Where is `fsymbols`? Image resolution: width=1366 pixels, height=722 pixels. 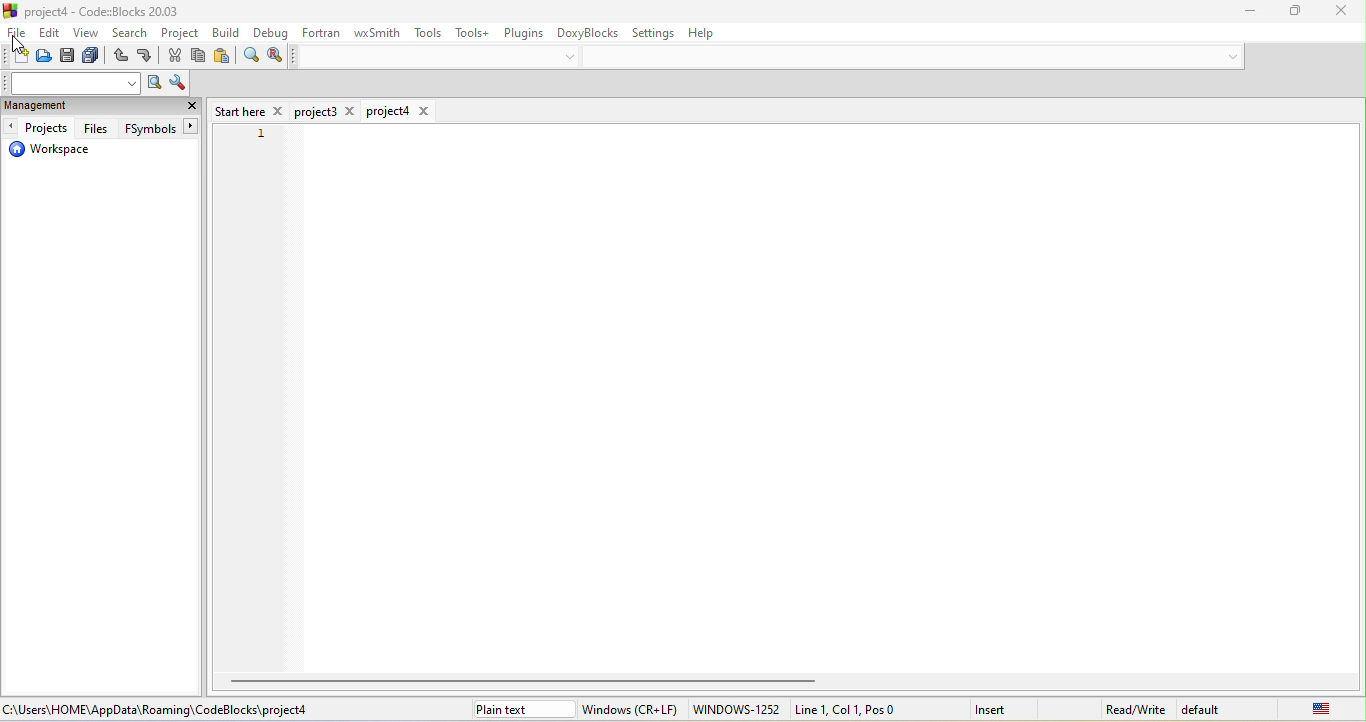 fsymbols is located at coordinates (158, 129).